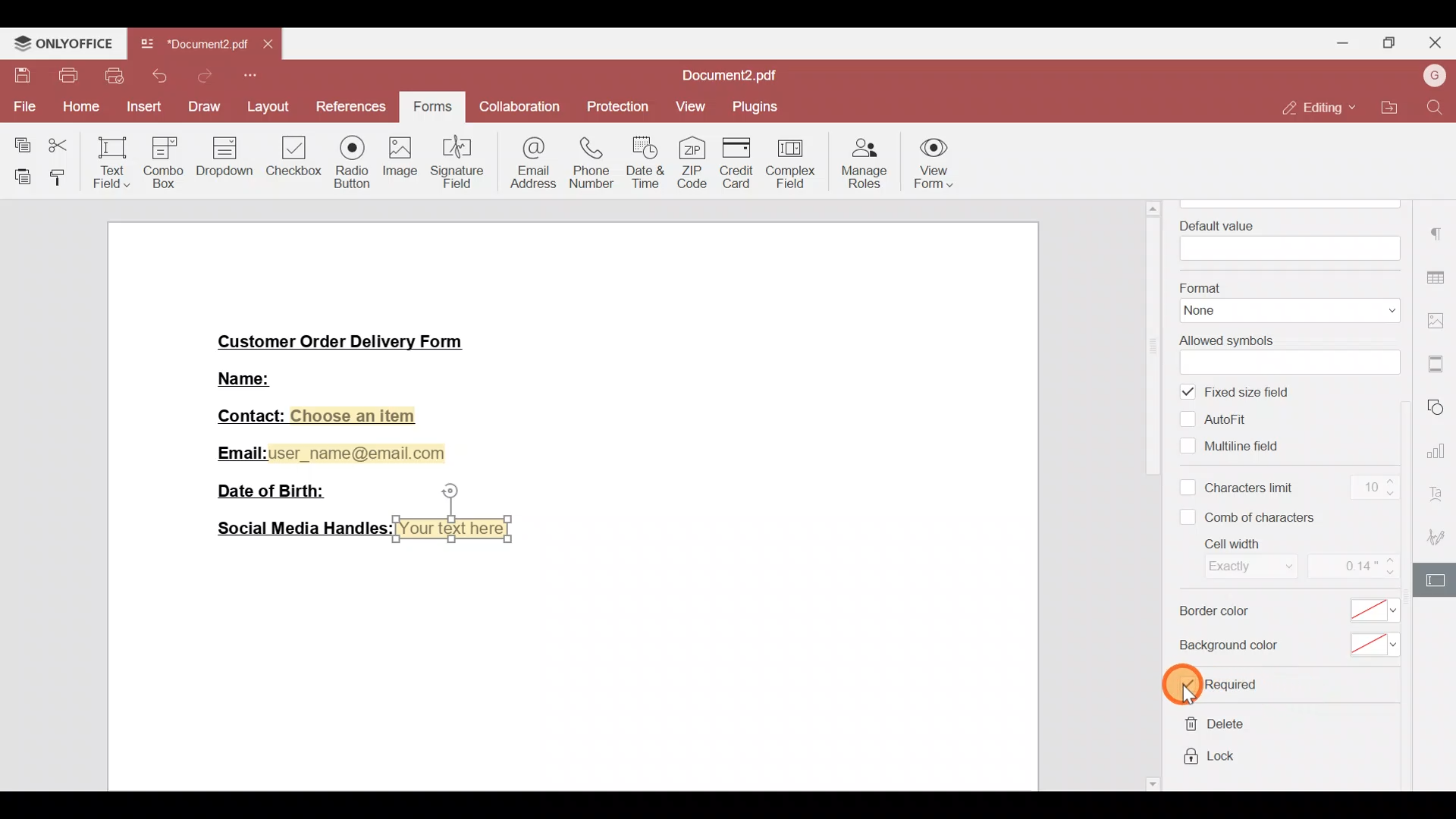 The height and width of the screenshot is (819, 1456). What do you see at coordinates (1385, 105) in the screenshot?
I see `Open file location` at bounding box center [1385, 105].